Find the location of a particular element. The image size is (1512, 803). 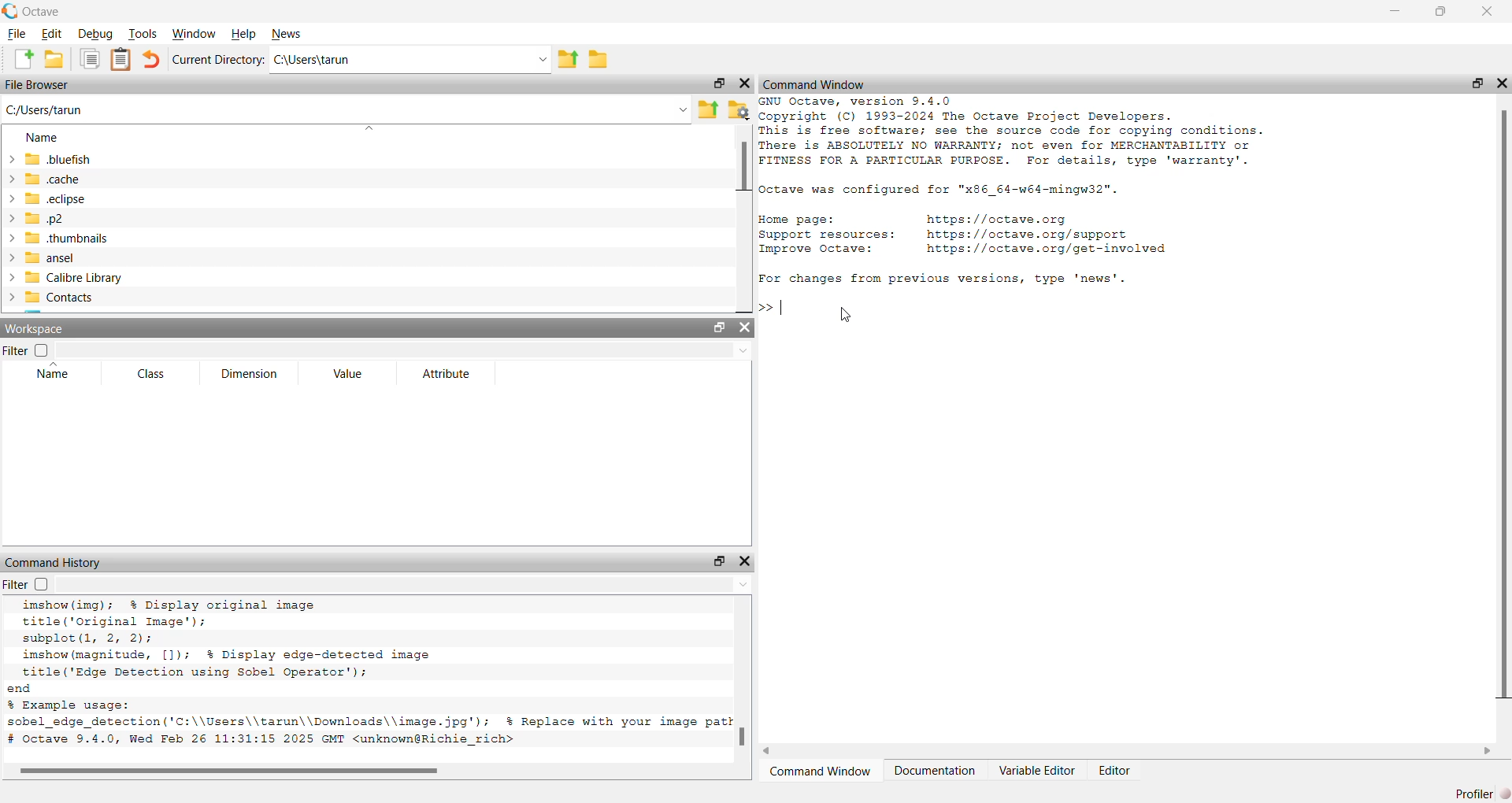

restore down is located at coordinates (1437, 14).